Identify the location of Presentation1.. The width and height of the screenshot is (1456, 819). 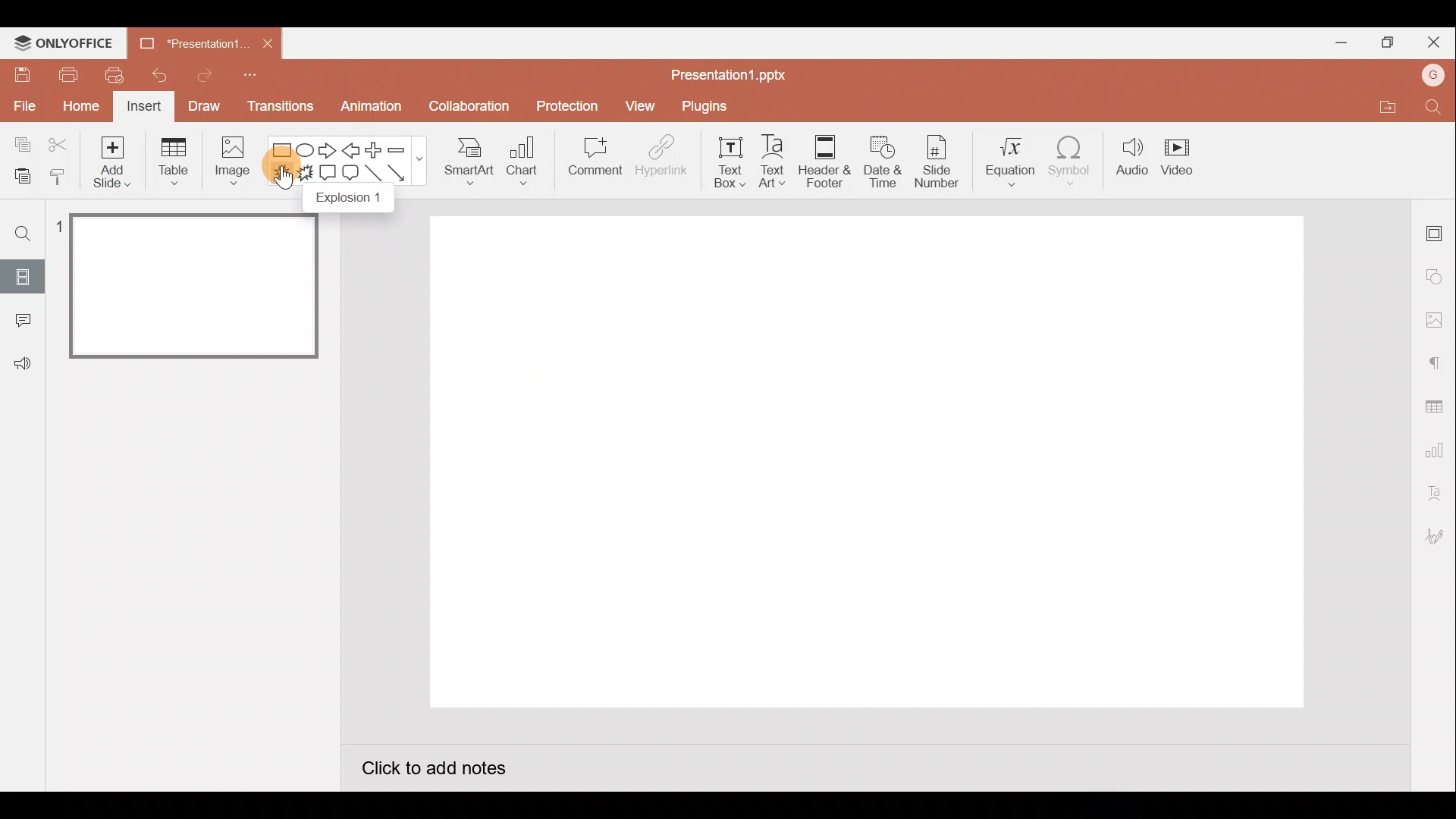
(193, 41).